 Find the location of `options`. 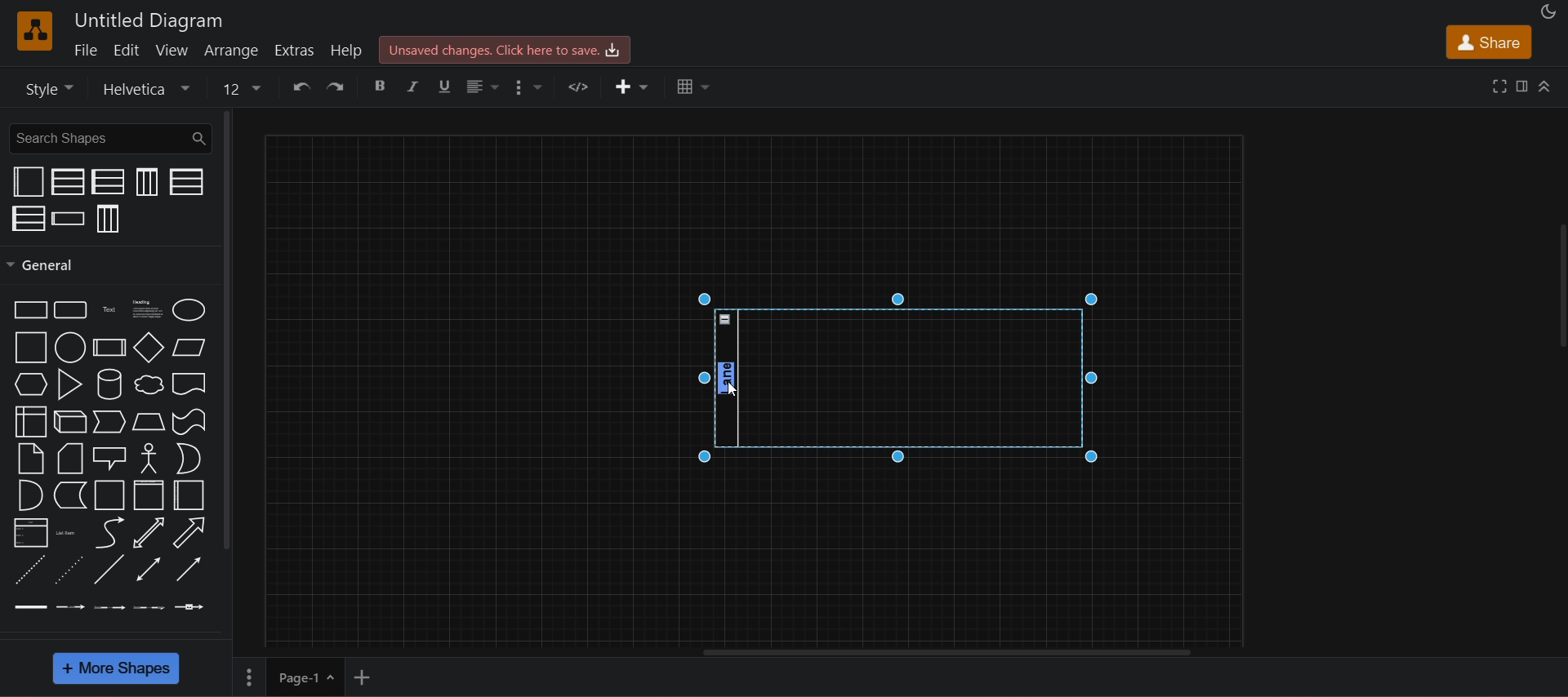

options is located at coordinates (524, 87).